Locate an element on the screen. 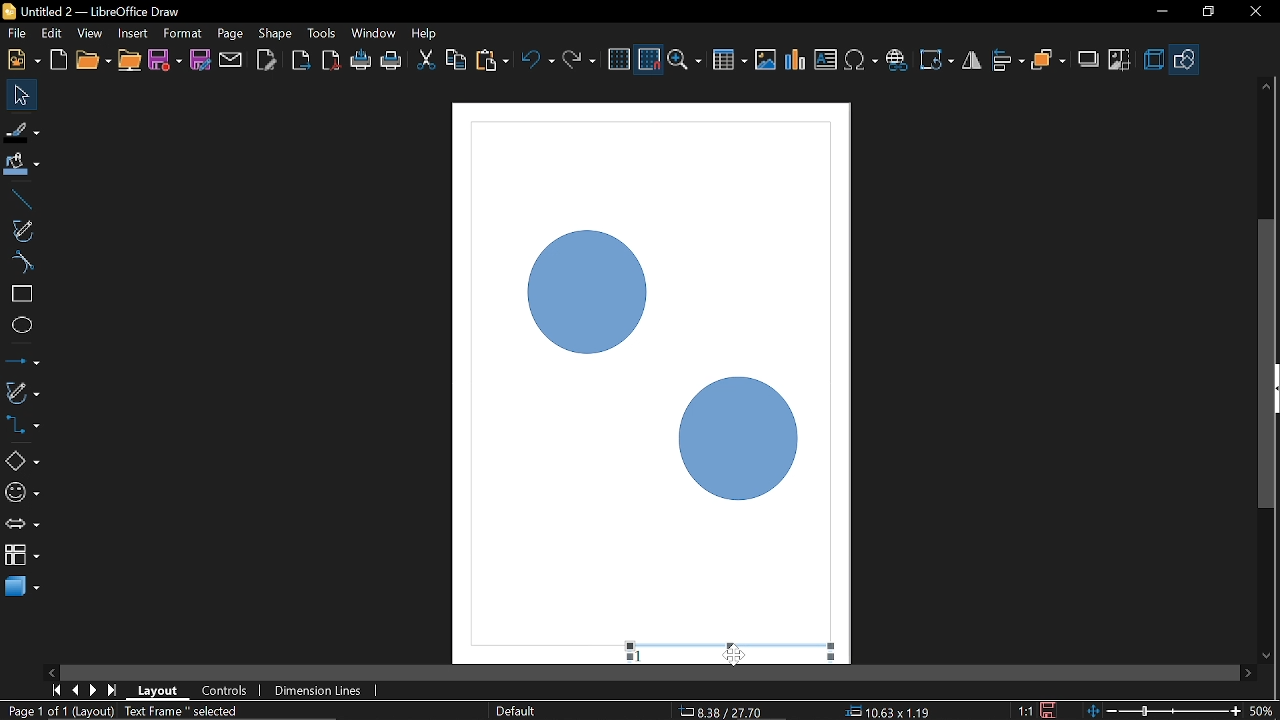  Shapes is located at coordinates (21, 460).